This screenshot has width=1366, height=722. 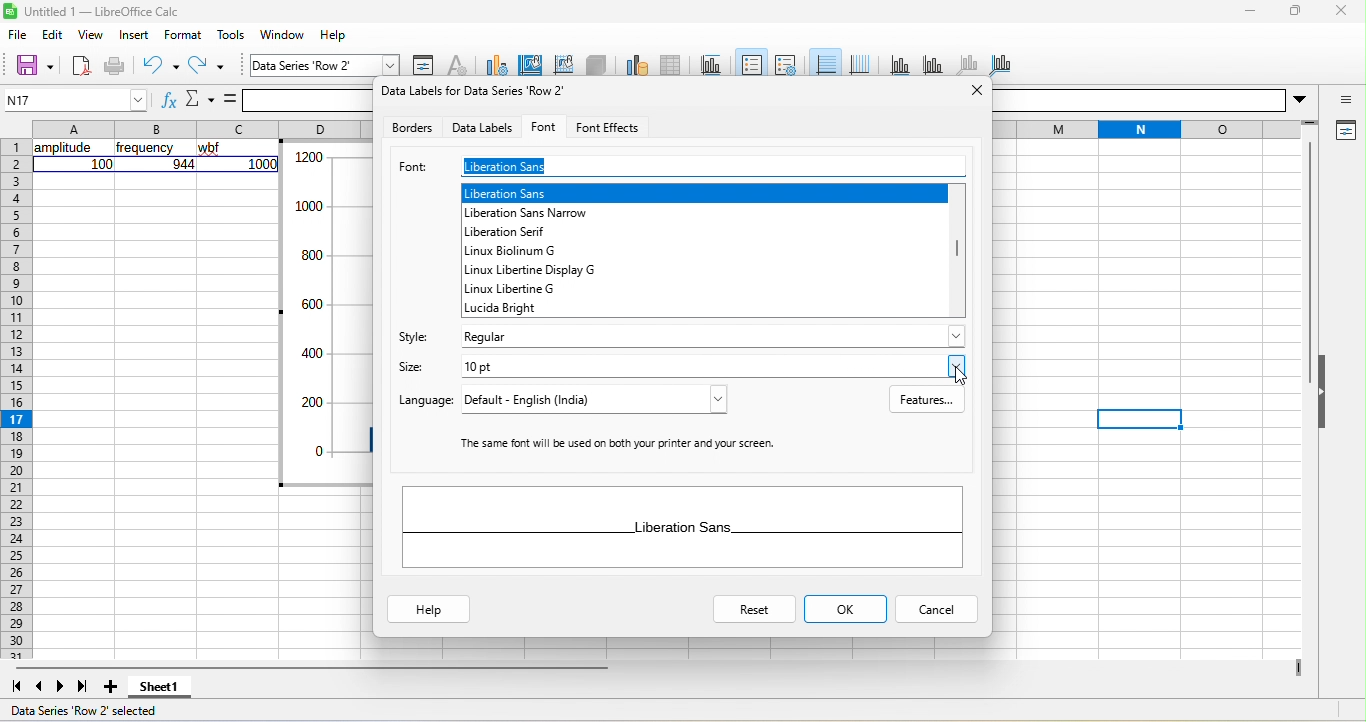 I want to click on font, so click(x=412, y=168).